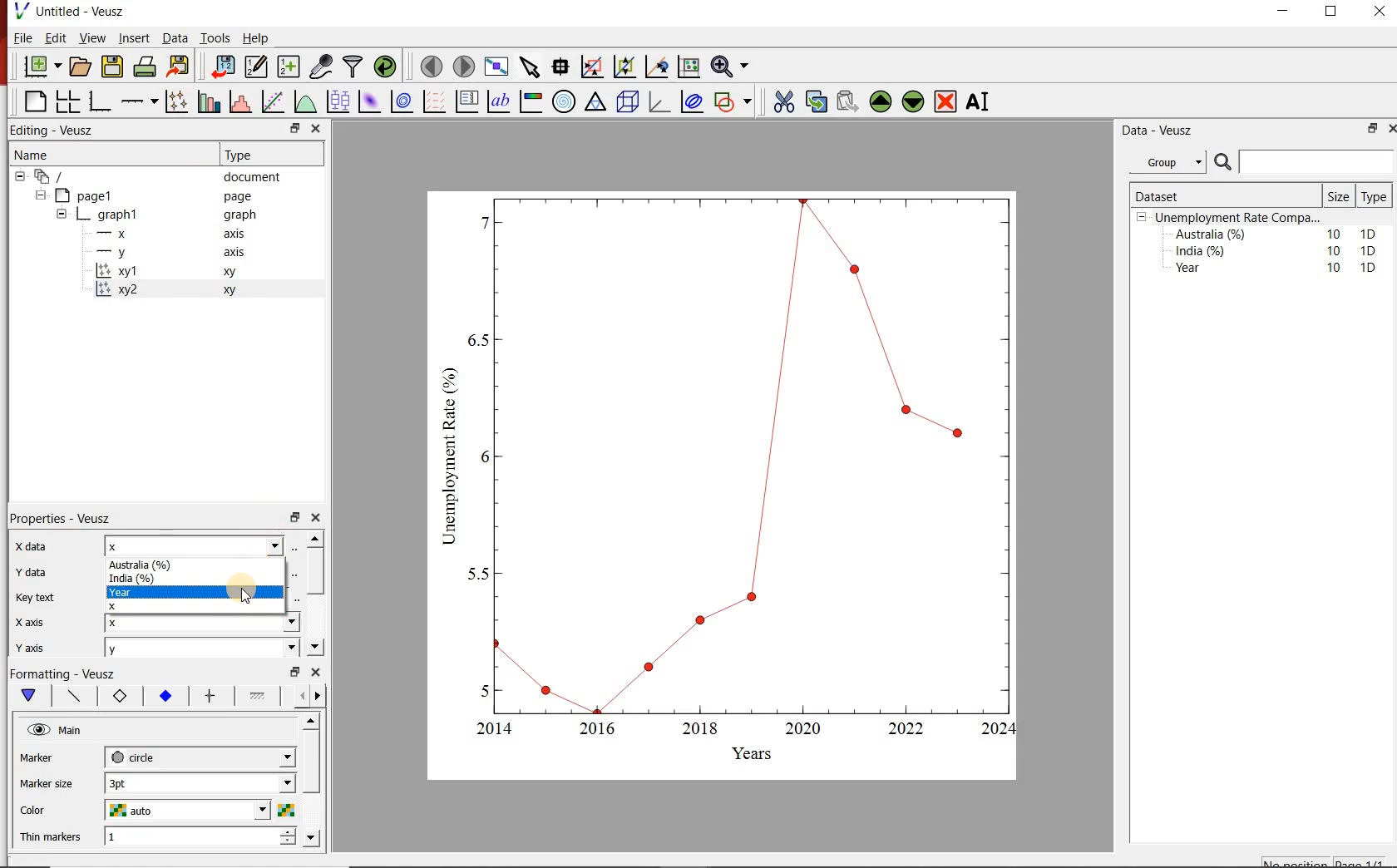 The height and width of the screenshot is (868, 1397). Describe the element at coordinates (166, 697) in the screenshot. I see `marker fill ` at that location.